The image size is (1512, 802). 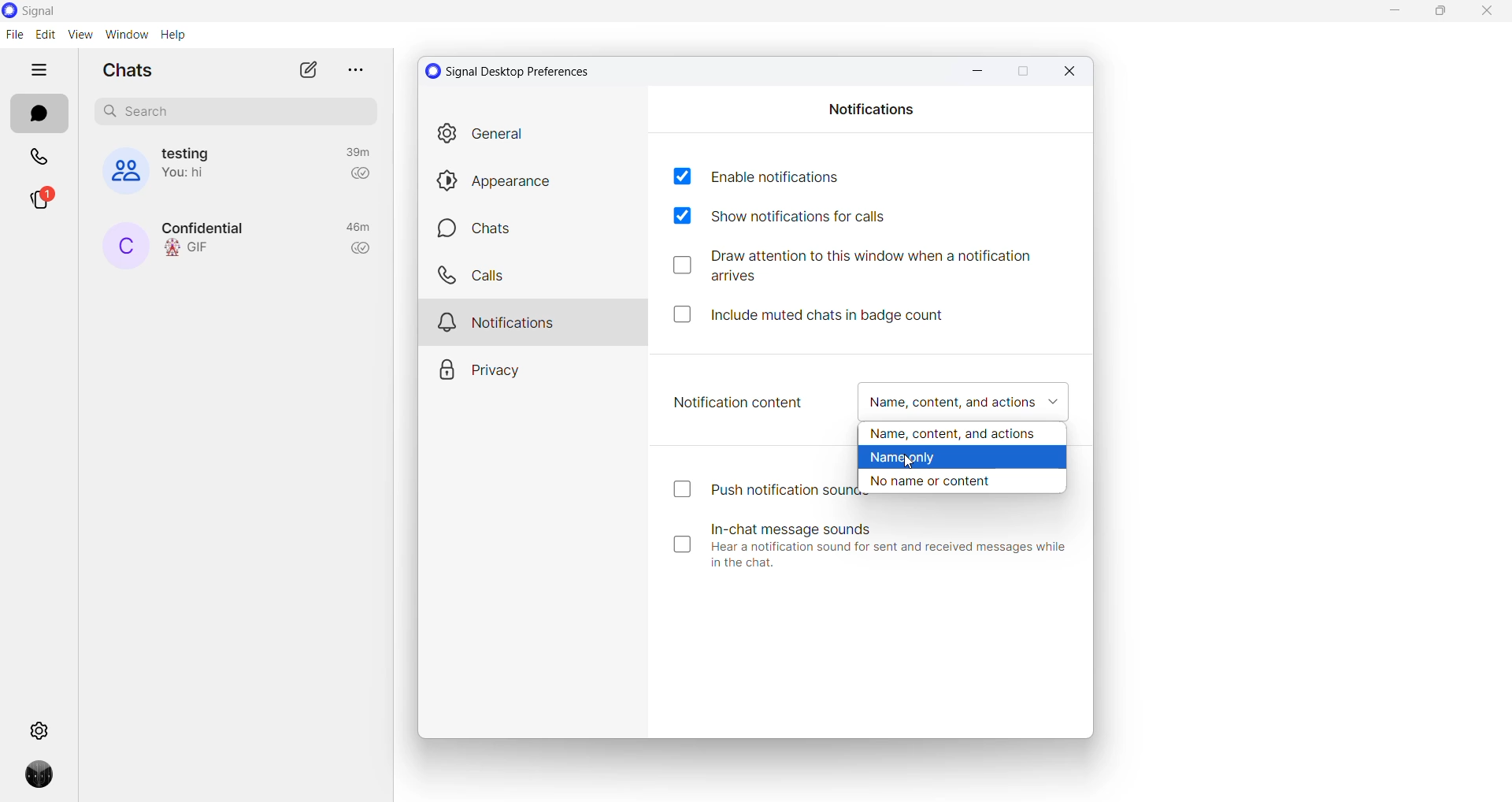 I want to click on window, so click(x=125, y=35).